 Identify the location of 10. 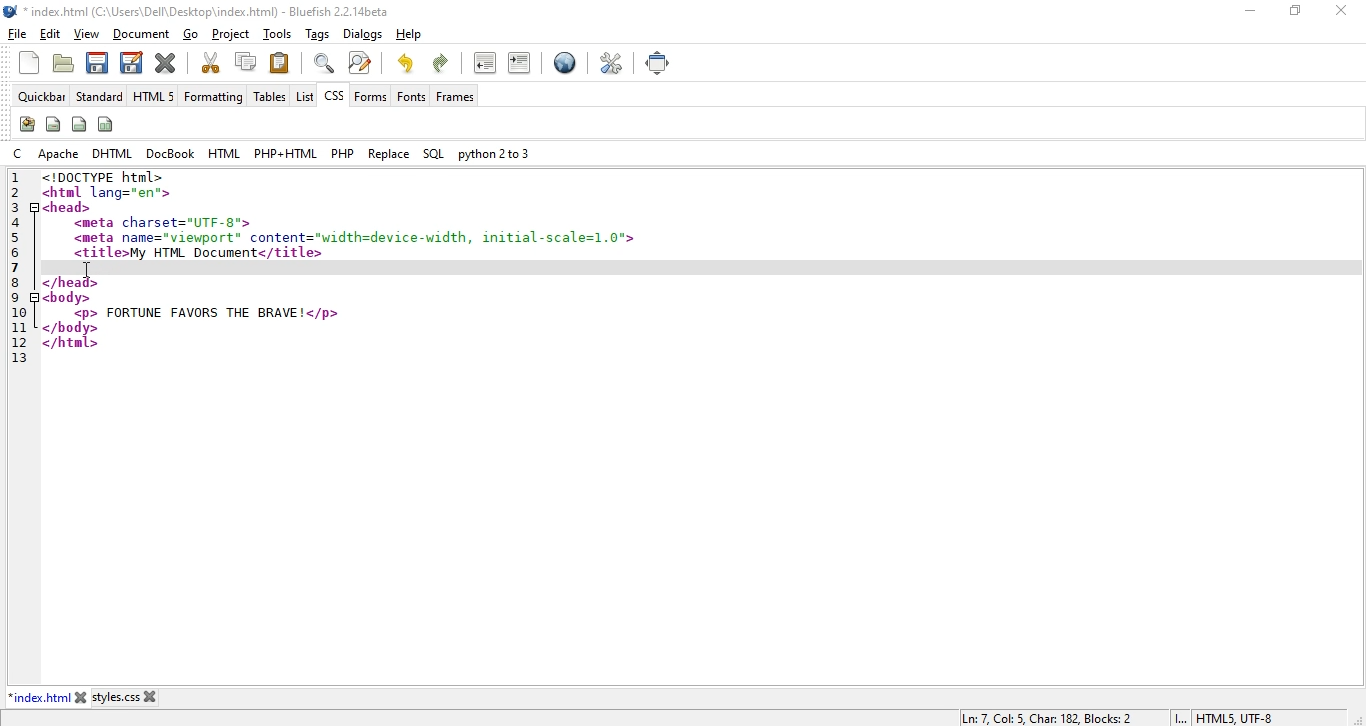
(22, 312).